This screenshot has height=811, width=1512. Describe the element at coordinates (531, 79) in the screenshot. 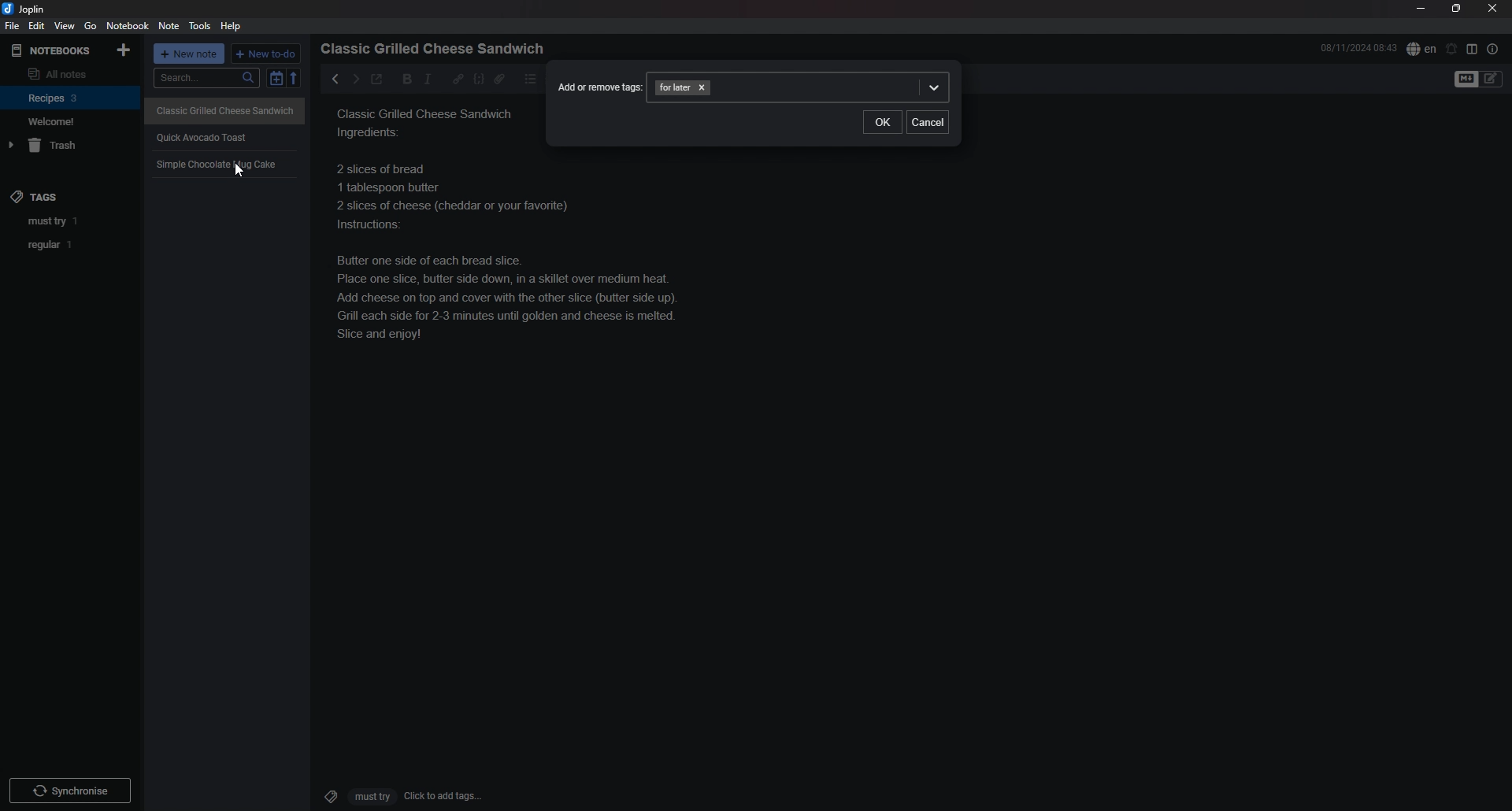

I see `bullet list` at that location.